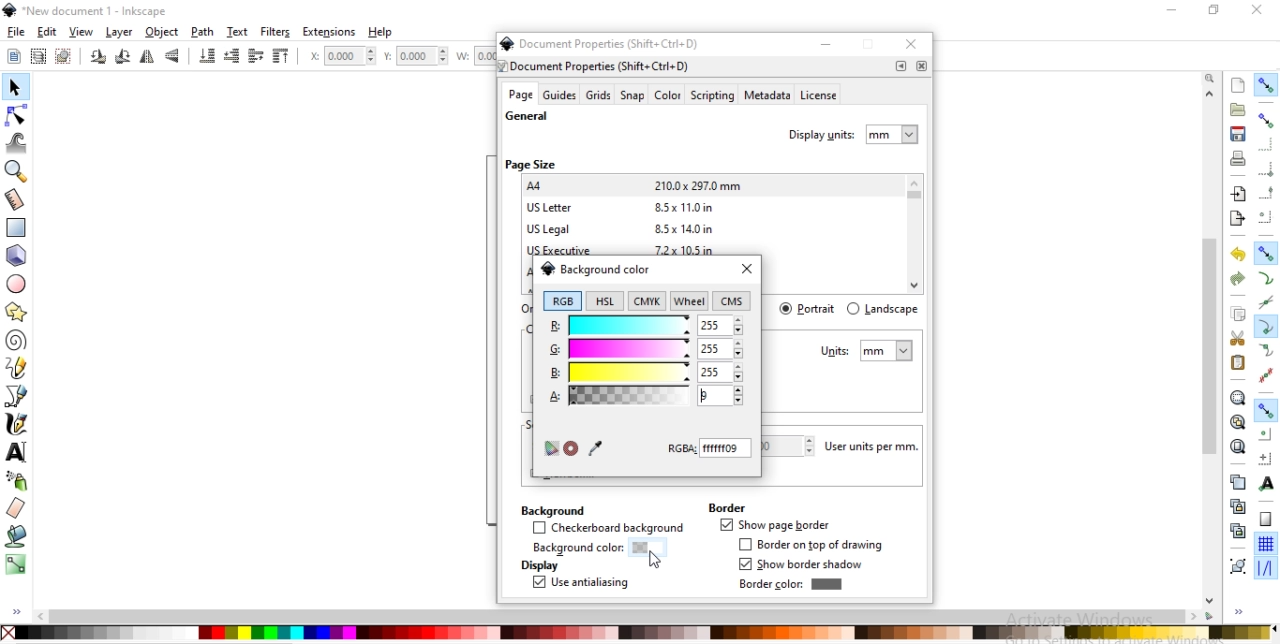 This screenshot has height=644, width=1280. What do you see at coordinates (606, 54) in the screenshot?
I see `@ Document Properties (Shift+ Ctrl+D)7 Document Properties (Shift+ Ctrl+D)` at bounding box center [606, 54].